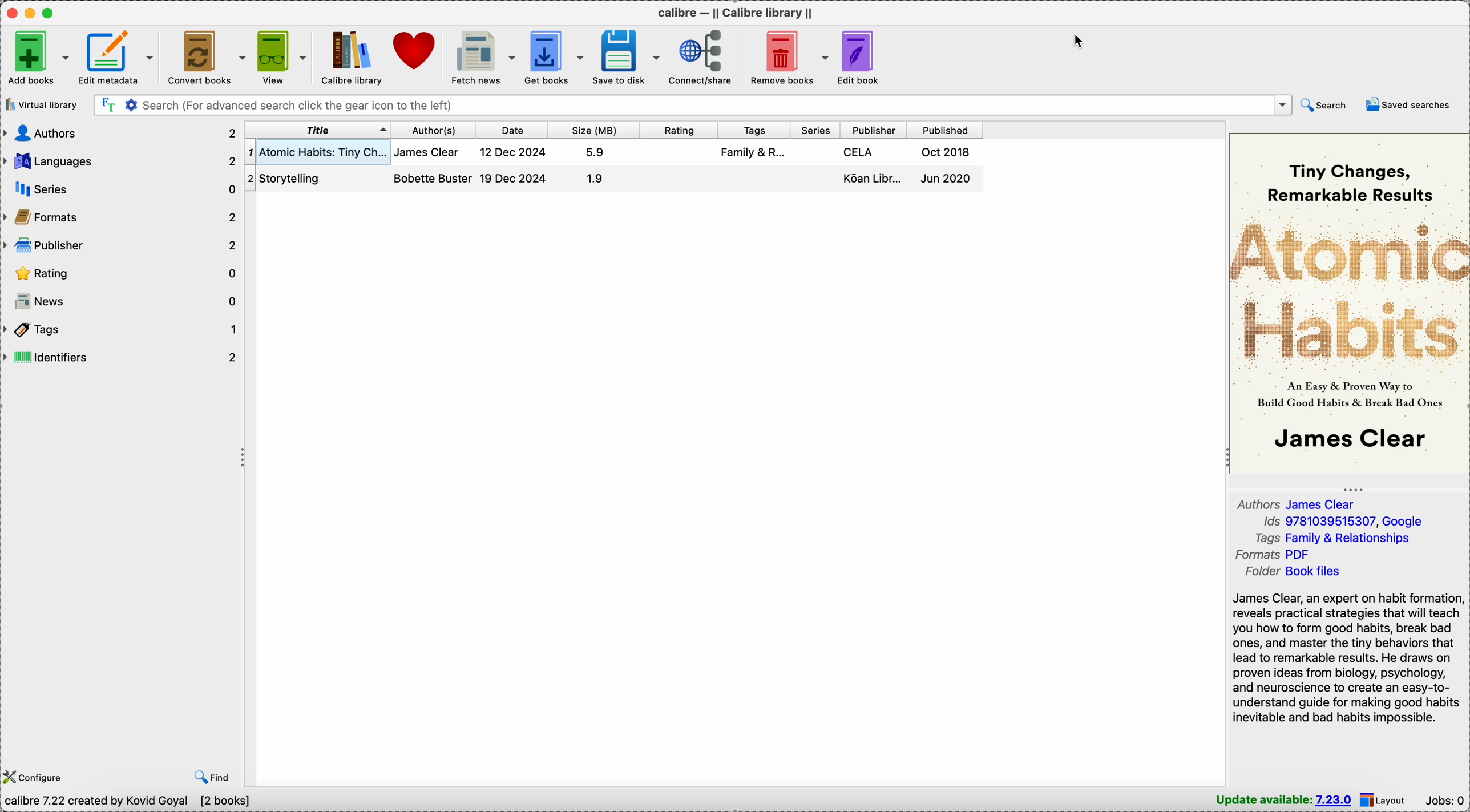 The image size is (1470, 812). What do you see at coordinates (11, 13) in the screenshot?
I see ` close Calibre` at bounding box center [11, 13].